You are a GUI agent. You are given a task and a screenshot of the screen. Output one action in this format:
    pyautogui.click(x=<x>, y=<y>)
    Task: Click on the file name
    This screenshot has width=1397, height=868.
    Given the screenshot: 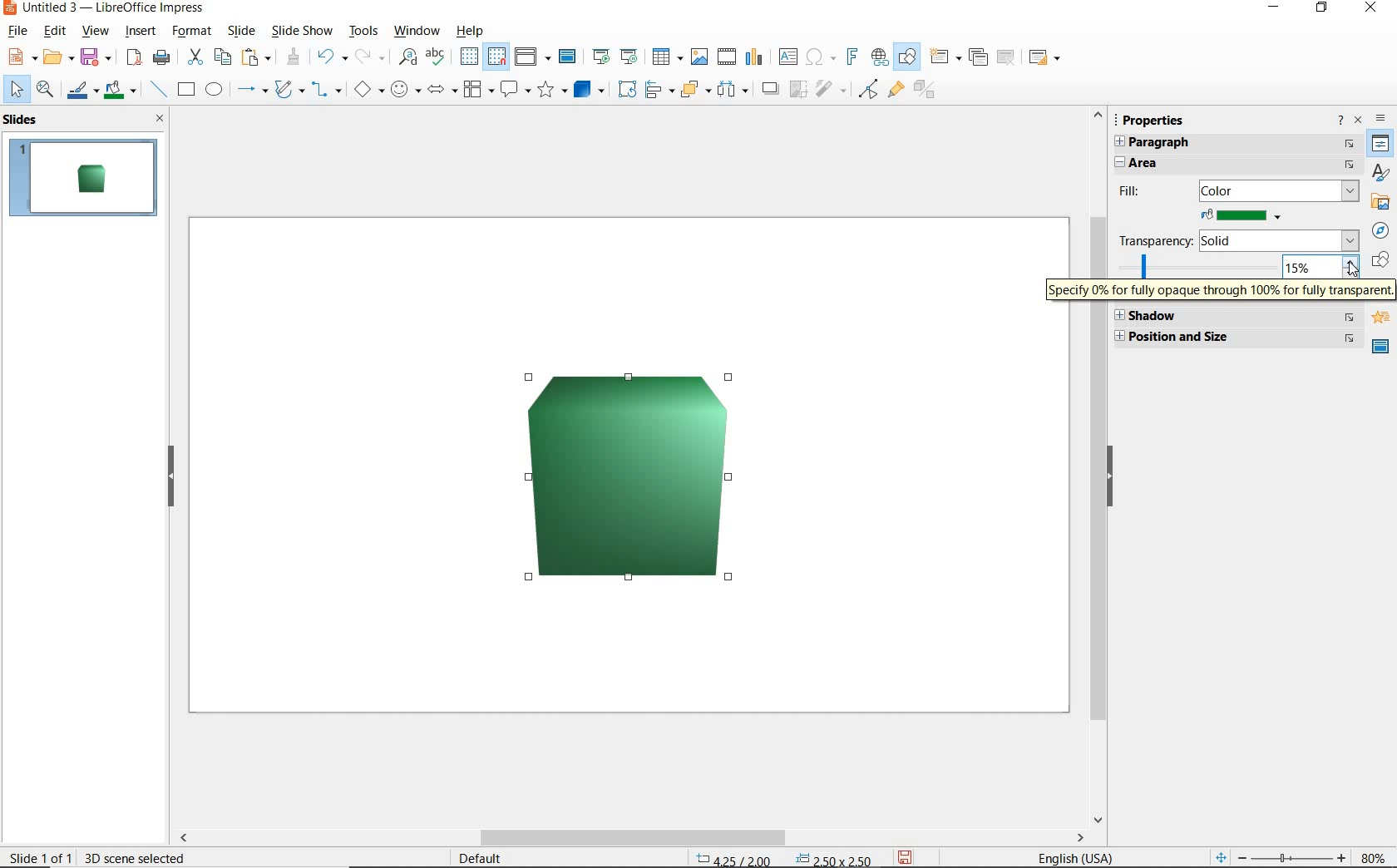 What is the action you would take?
    pyautogui.click(x=103, y=8)
    